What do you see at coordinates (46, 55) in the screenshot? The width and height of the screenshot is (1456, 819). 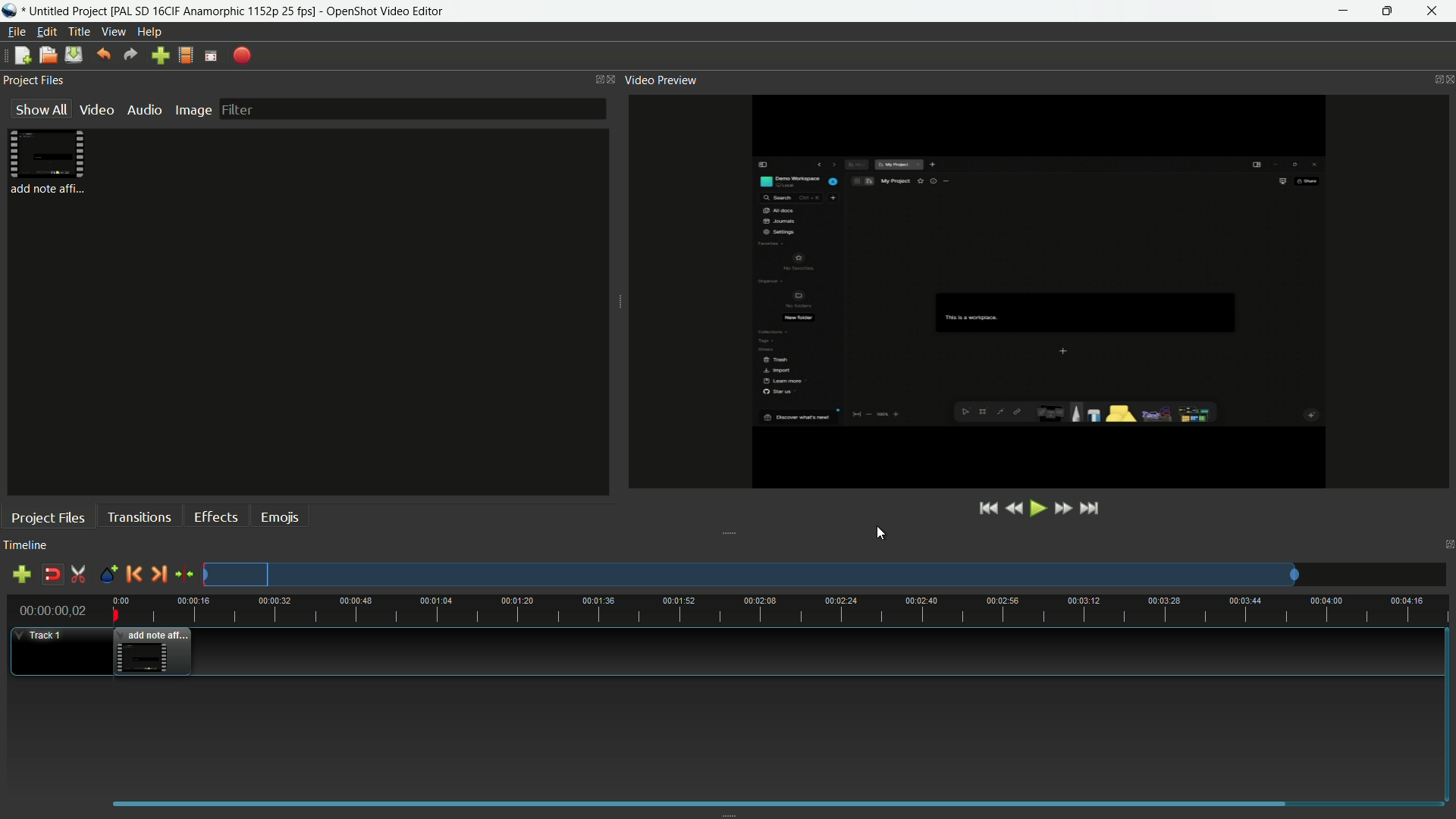 I see `open file` at bounding box center [46, 55].